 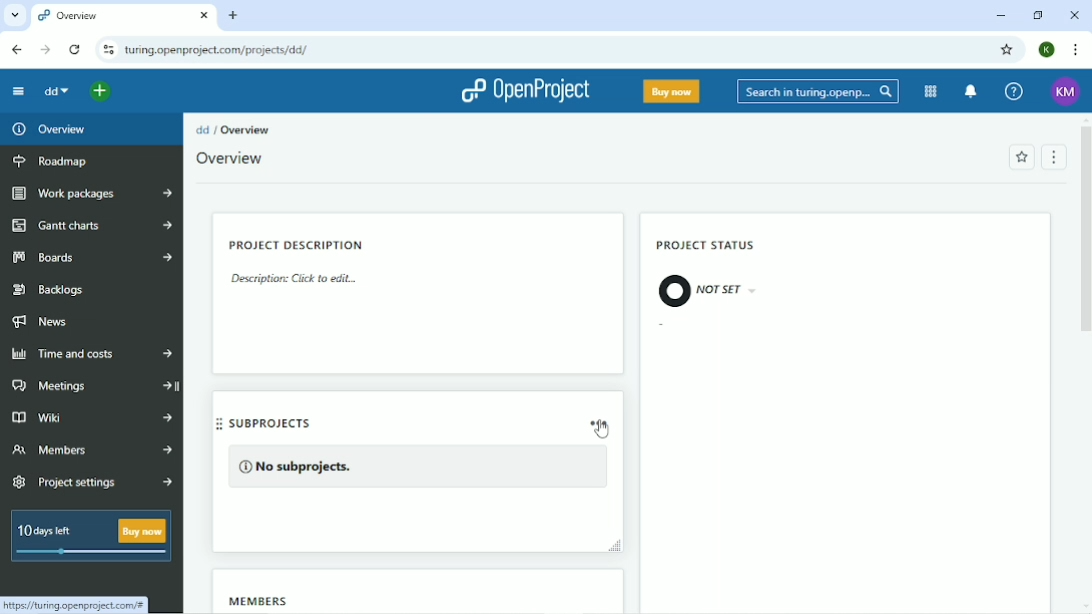 What do you see at coordinates (74, 50) in the screenshot?
I see `Reload this page` at bounding box center [74, 50].